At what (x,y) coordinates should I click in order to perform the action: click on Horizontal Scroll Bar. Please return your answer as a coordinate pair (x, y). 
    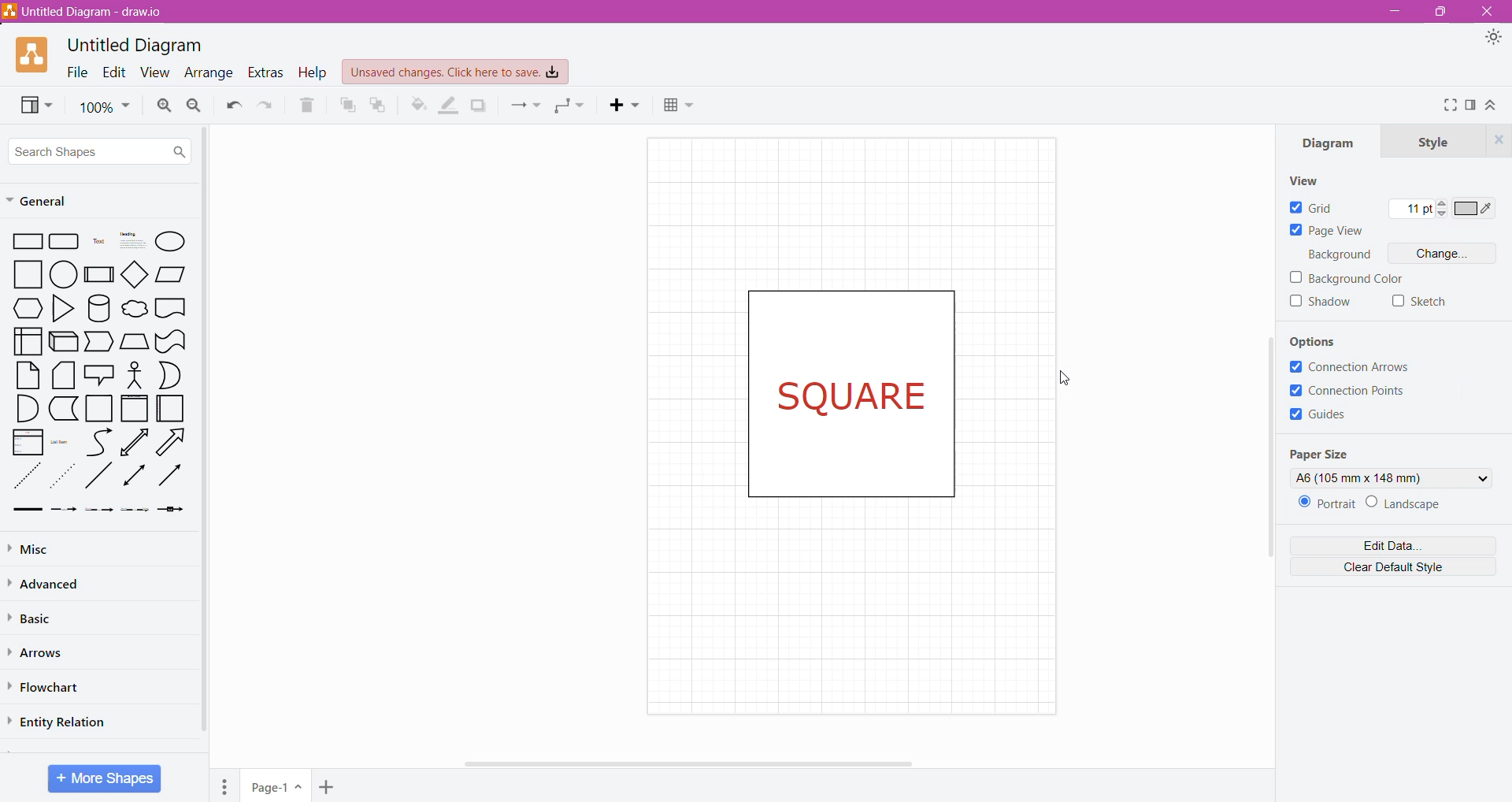
    Looking at the image, I should click on (695, 763).